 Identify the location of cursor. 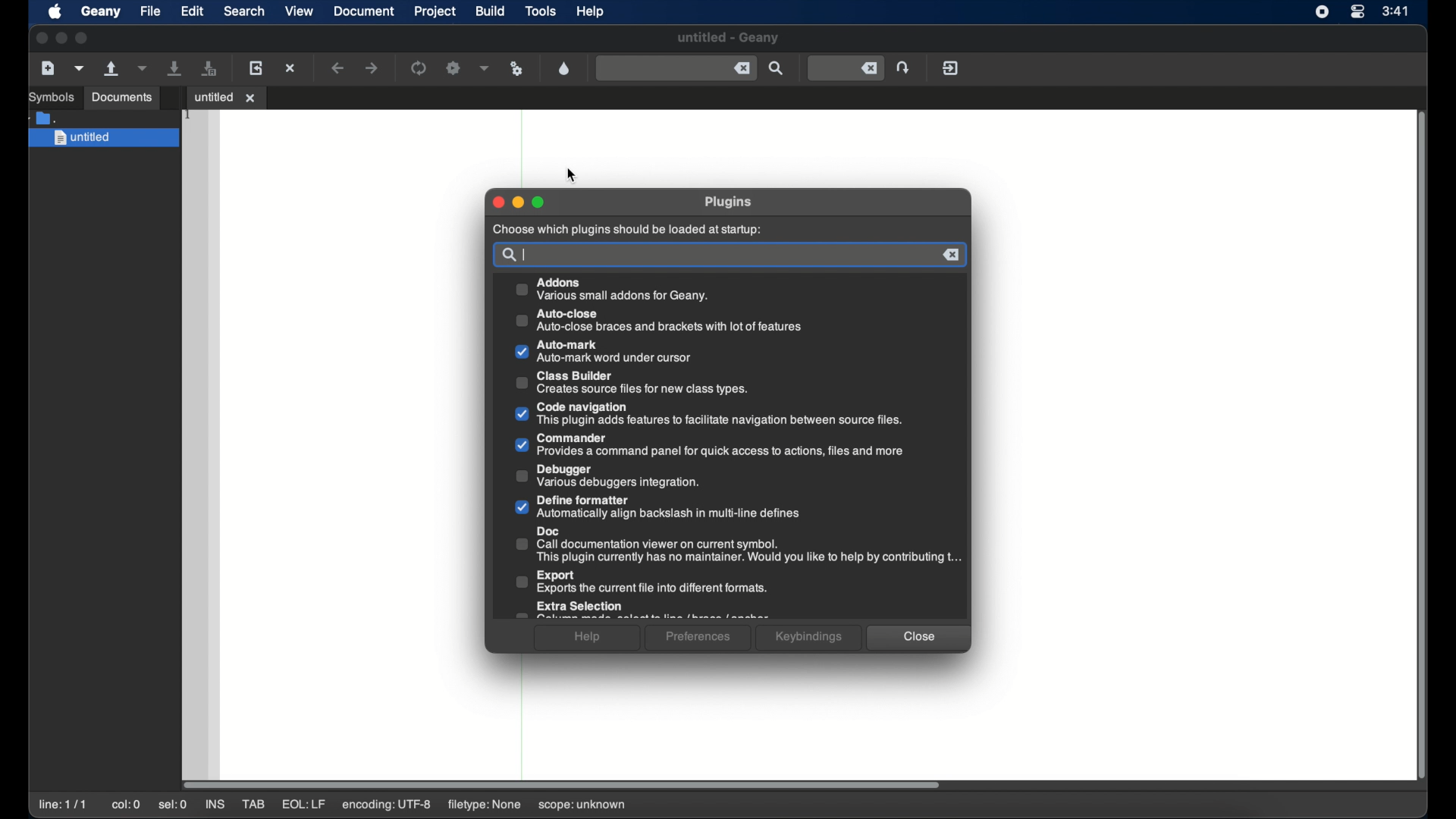
(572, 175).